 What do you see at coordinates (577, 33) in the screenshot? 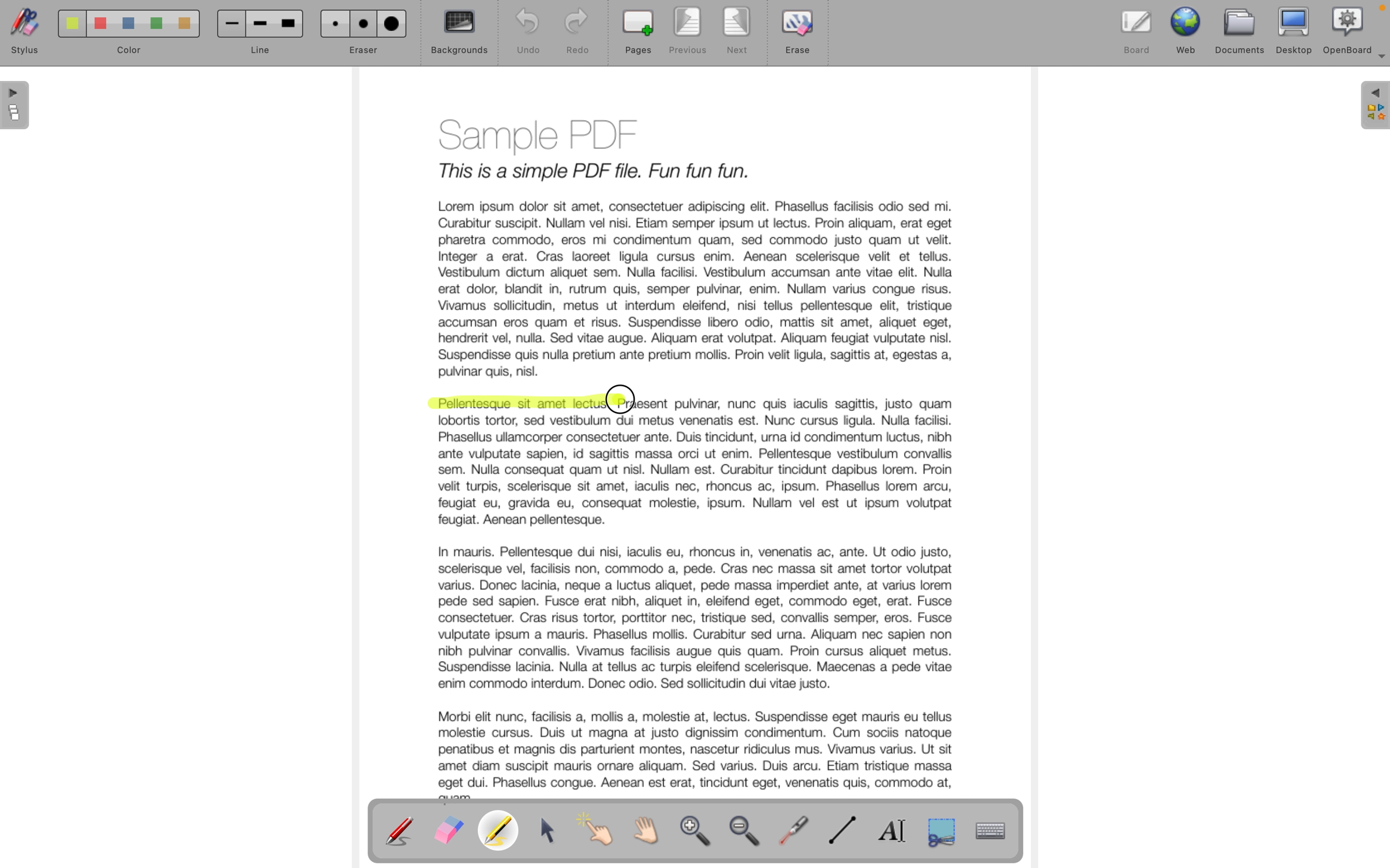
I see `redo` at bounding box center [577, 33].